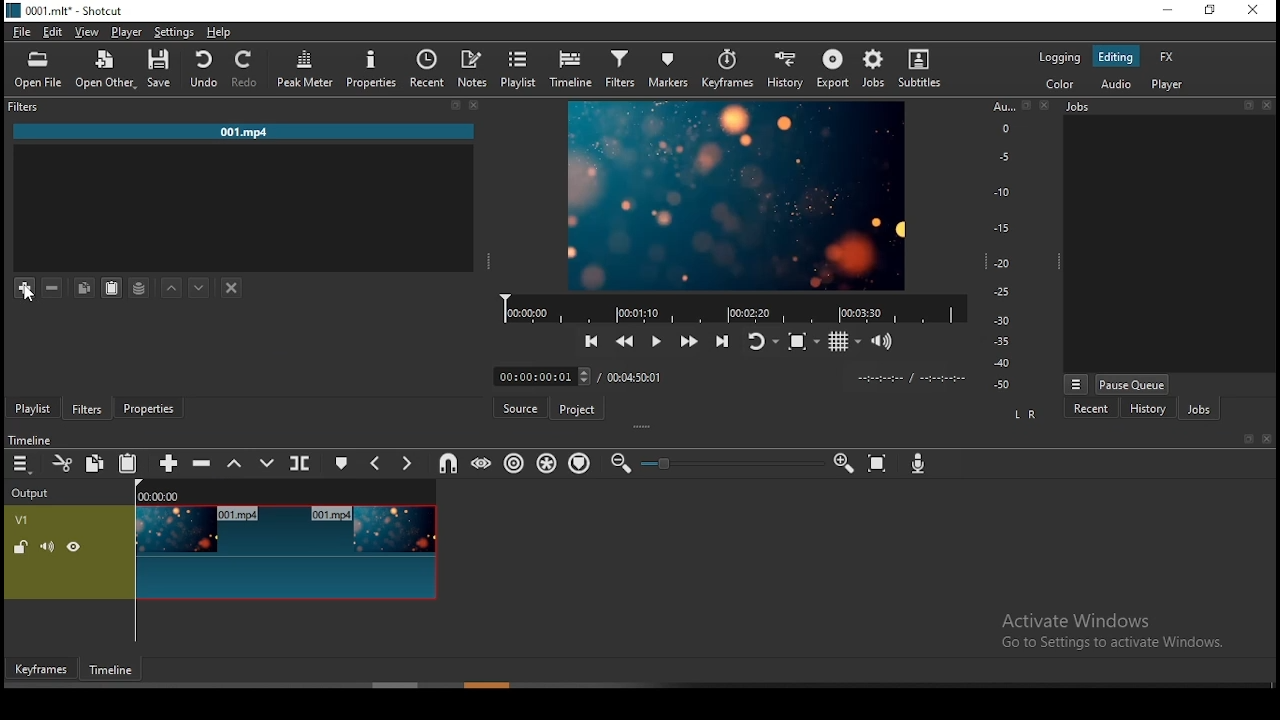 The width and height of the screenshot is (1280, 720). What do you see at coordinates (406, 461) in the screenshot?
I see `next marker` at bounding box center [406, 461].